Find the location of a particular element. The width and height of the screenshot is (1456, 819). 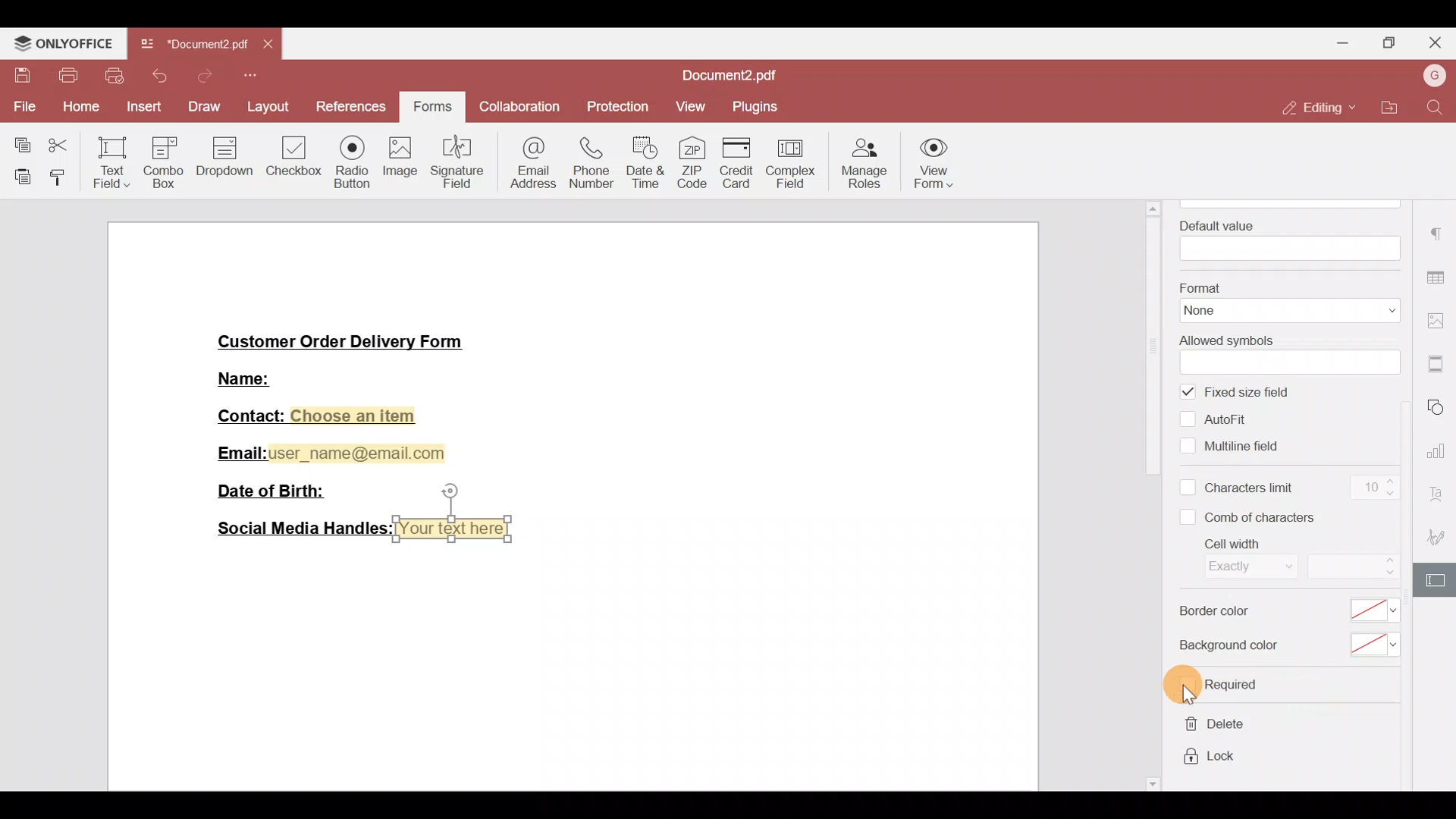

Customize quick access toolbar is located at coordinates (251, 76).